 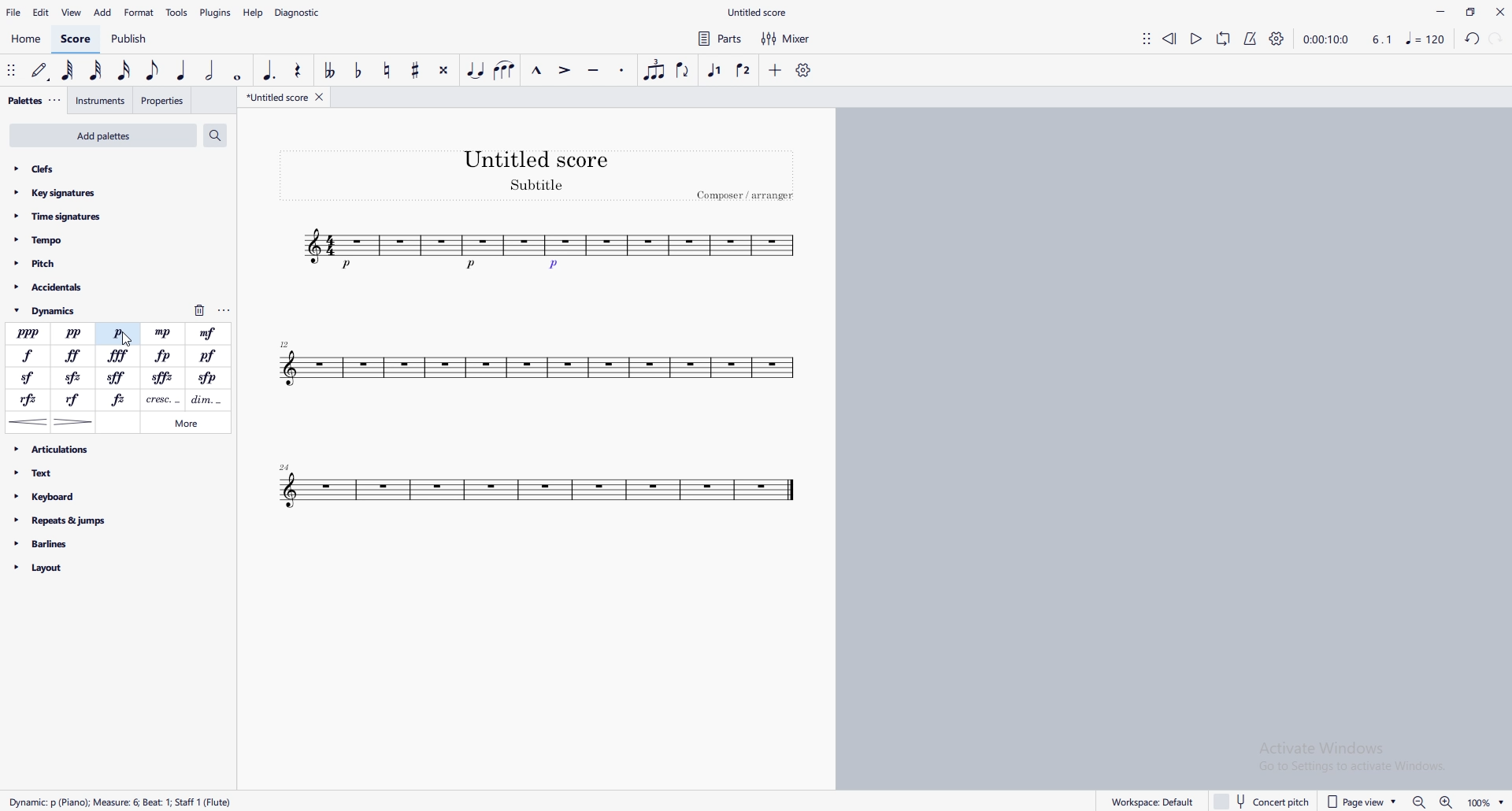 What do you see at coordinates (548, 251) in the screenshot?
I see `tune` at bounding box center [548, 251].